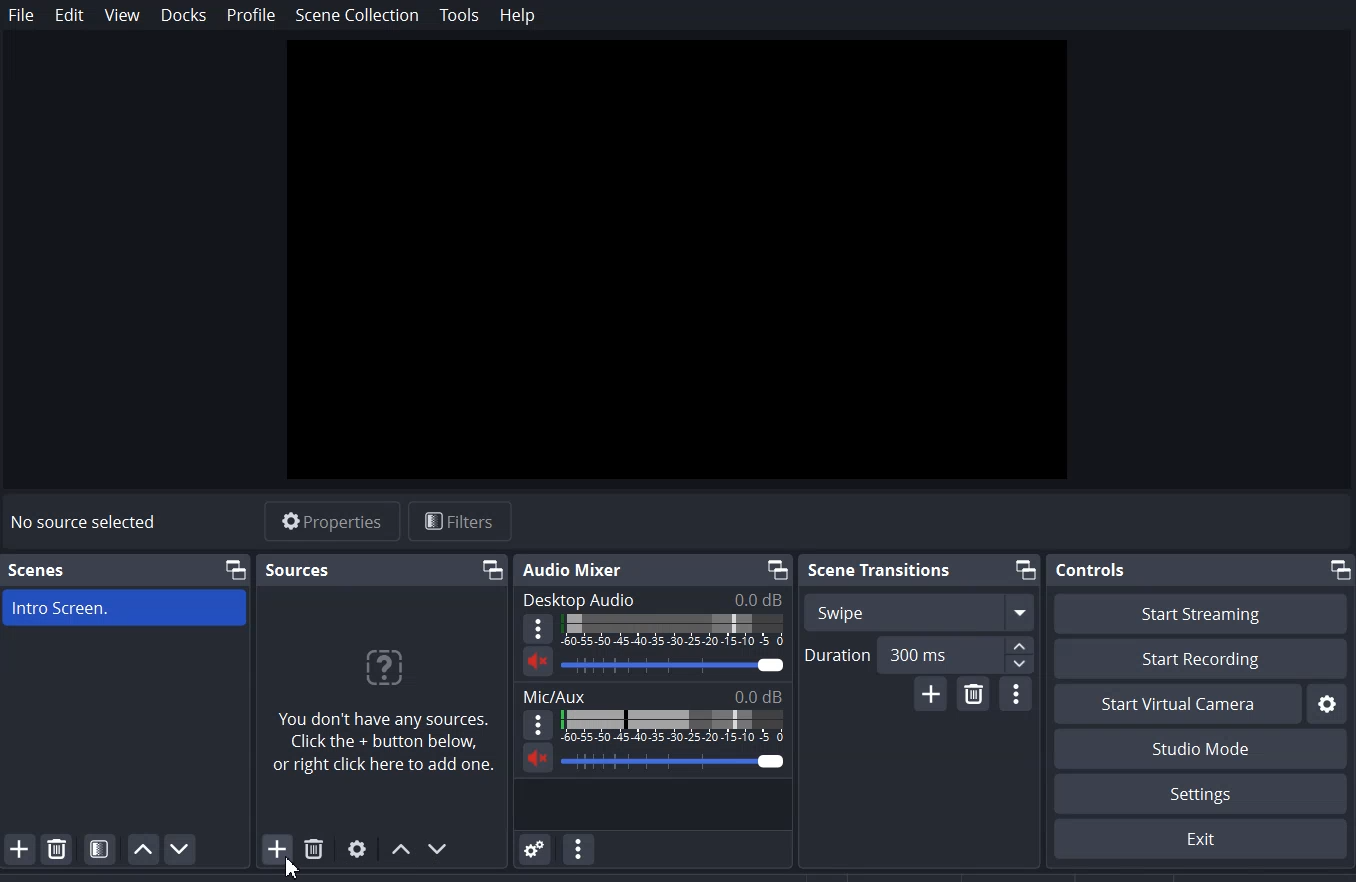 The image size is (1356, 882). I want to click on Docks, so click(184, 14).